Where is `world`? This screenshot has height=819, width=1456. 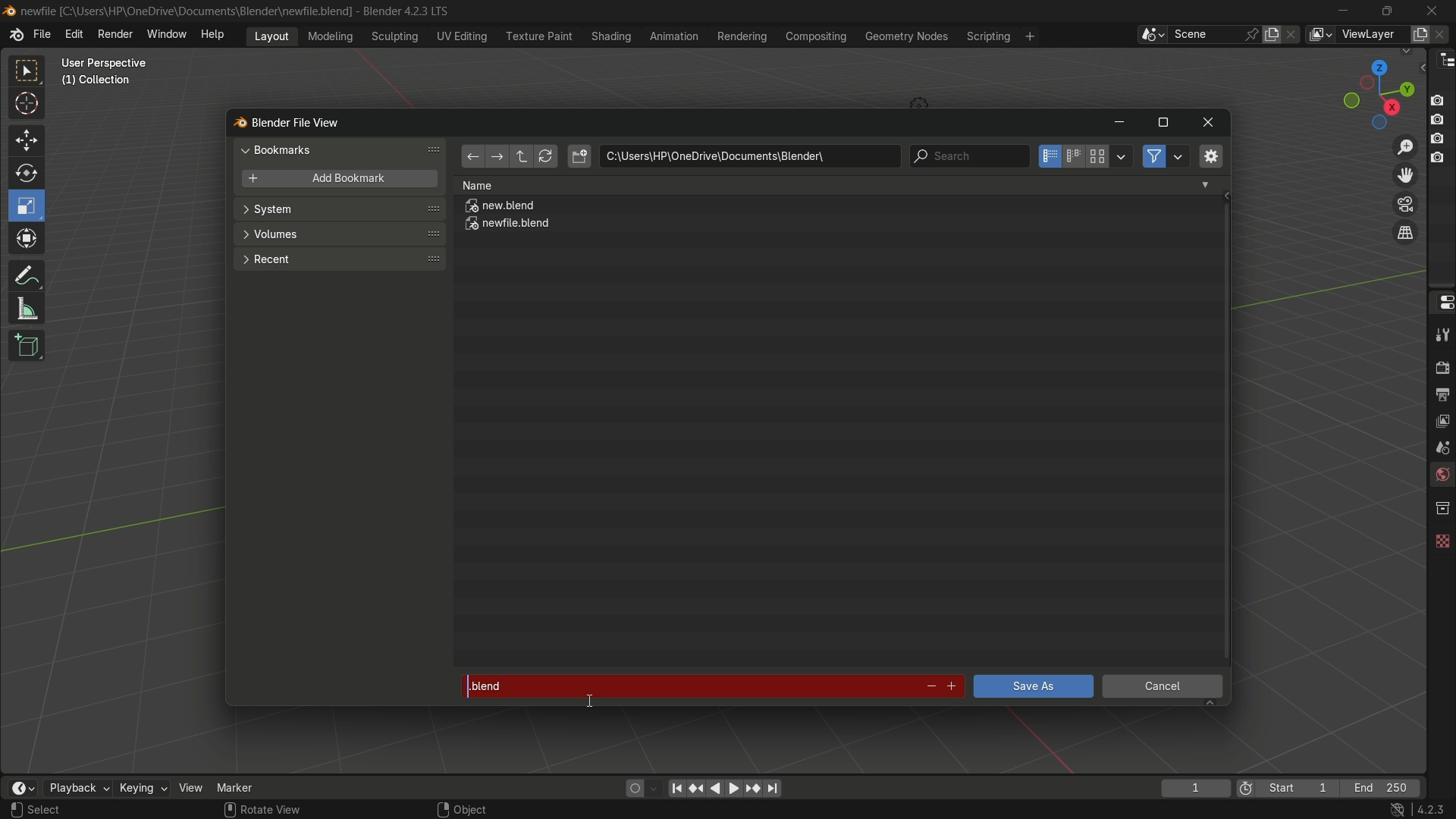
world is located at coordinates (1441, 476).